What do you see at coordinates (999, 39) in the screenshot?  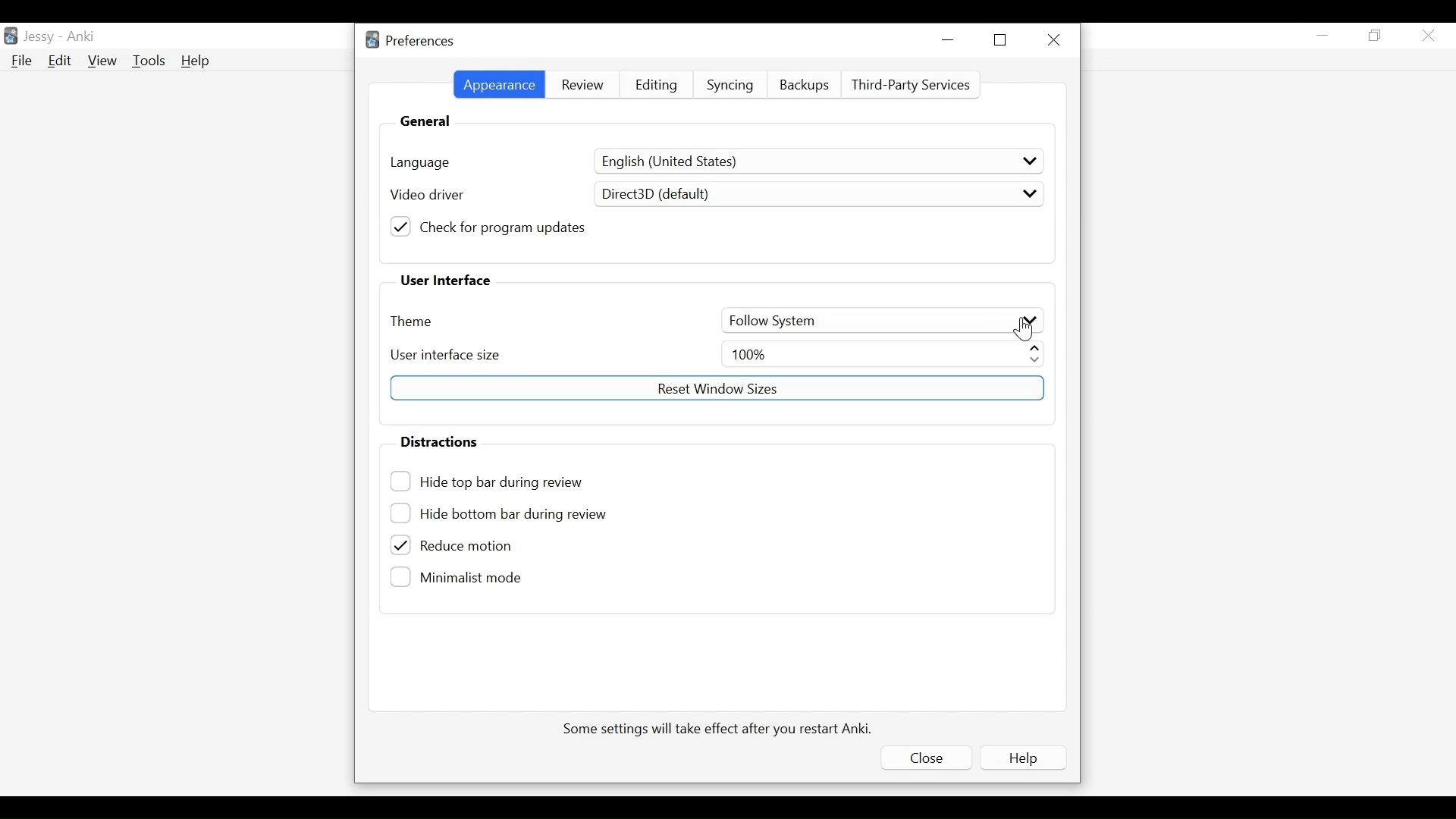 I see `Restore` at bounding box center [999, 39].